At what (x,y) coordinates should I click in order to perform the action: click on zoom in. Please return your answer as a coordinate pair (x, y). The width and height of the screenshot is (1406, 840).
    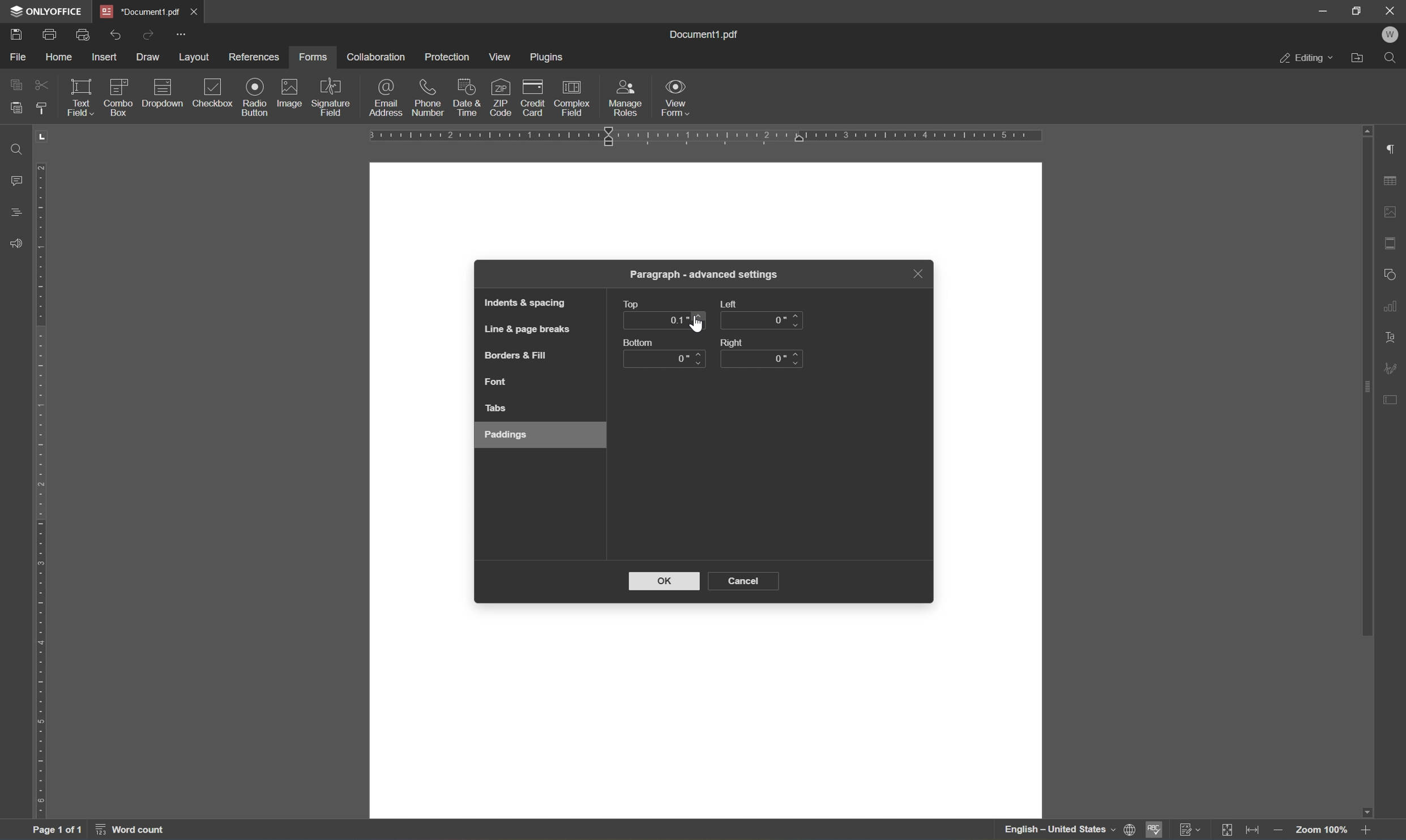
    Looking at the image, I should click on (1367, 829).